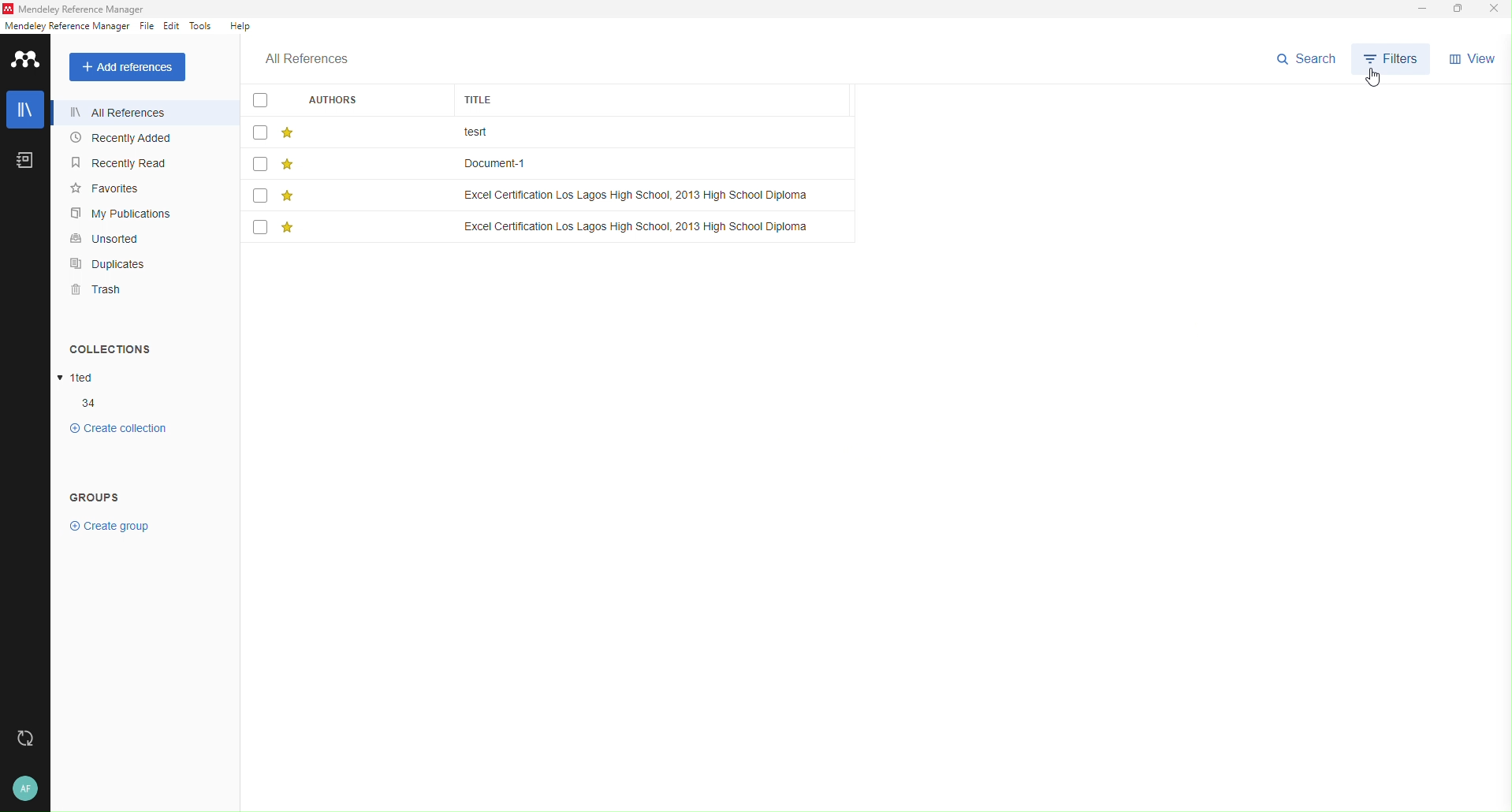  I want to click on groups, so click(119, 524).